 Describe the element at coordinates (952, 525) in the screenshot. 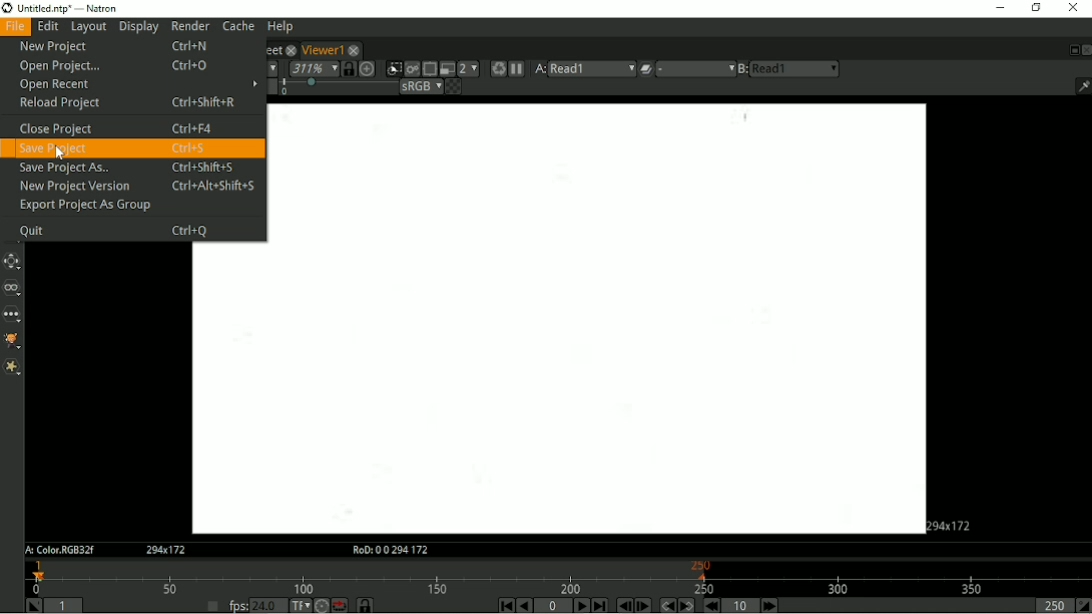

I see `Aspect` at that location.